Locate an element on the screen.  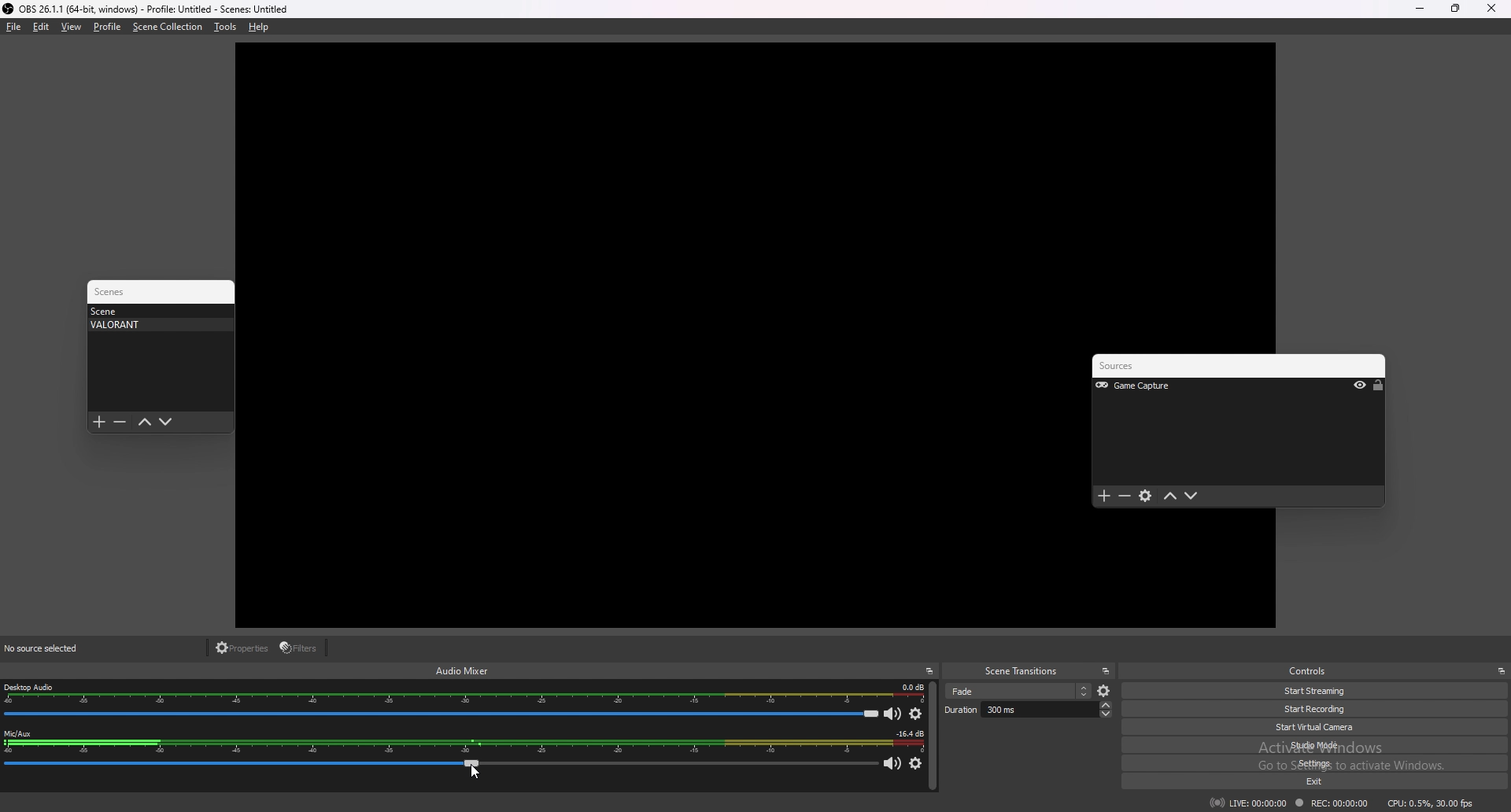
file is located at coordinates (14, 27).